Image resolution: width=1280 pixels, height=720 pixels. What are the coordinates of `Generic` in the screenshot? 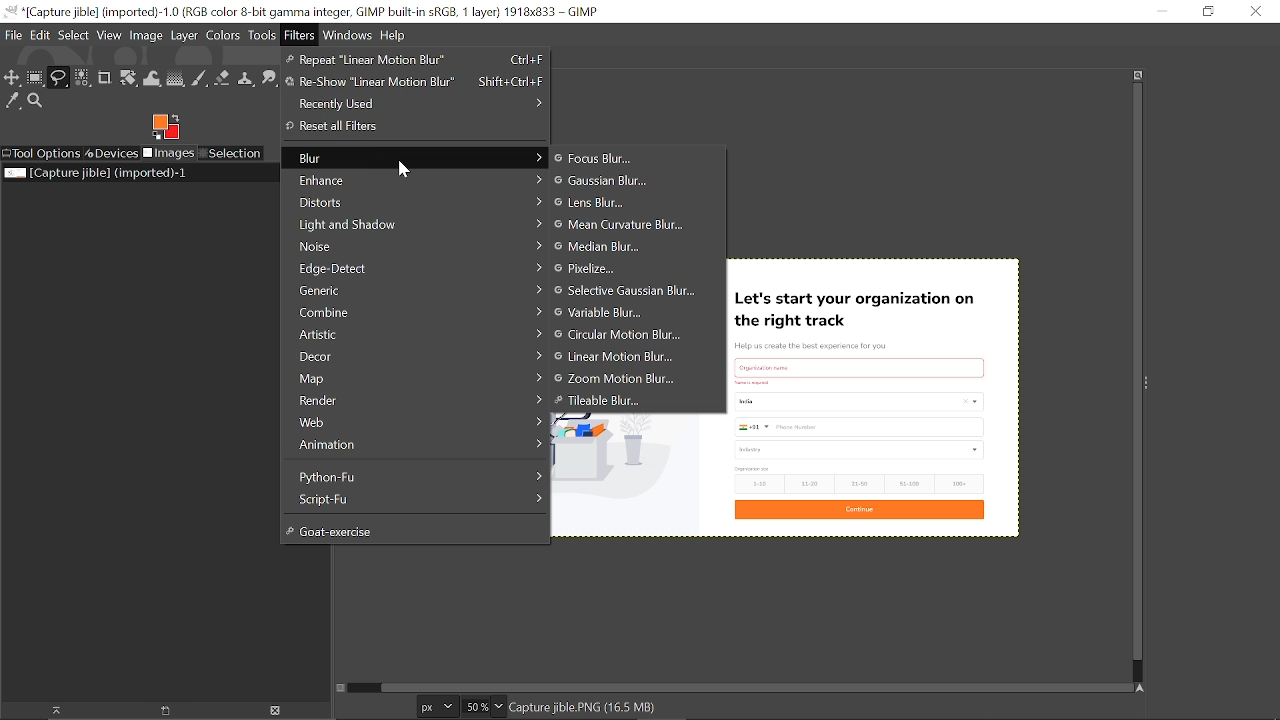 It's located at (412, 291).